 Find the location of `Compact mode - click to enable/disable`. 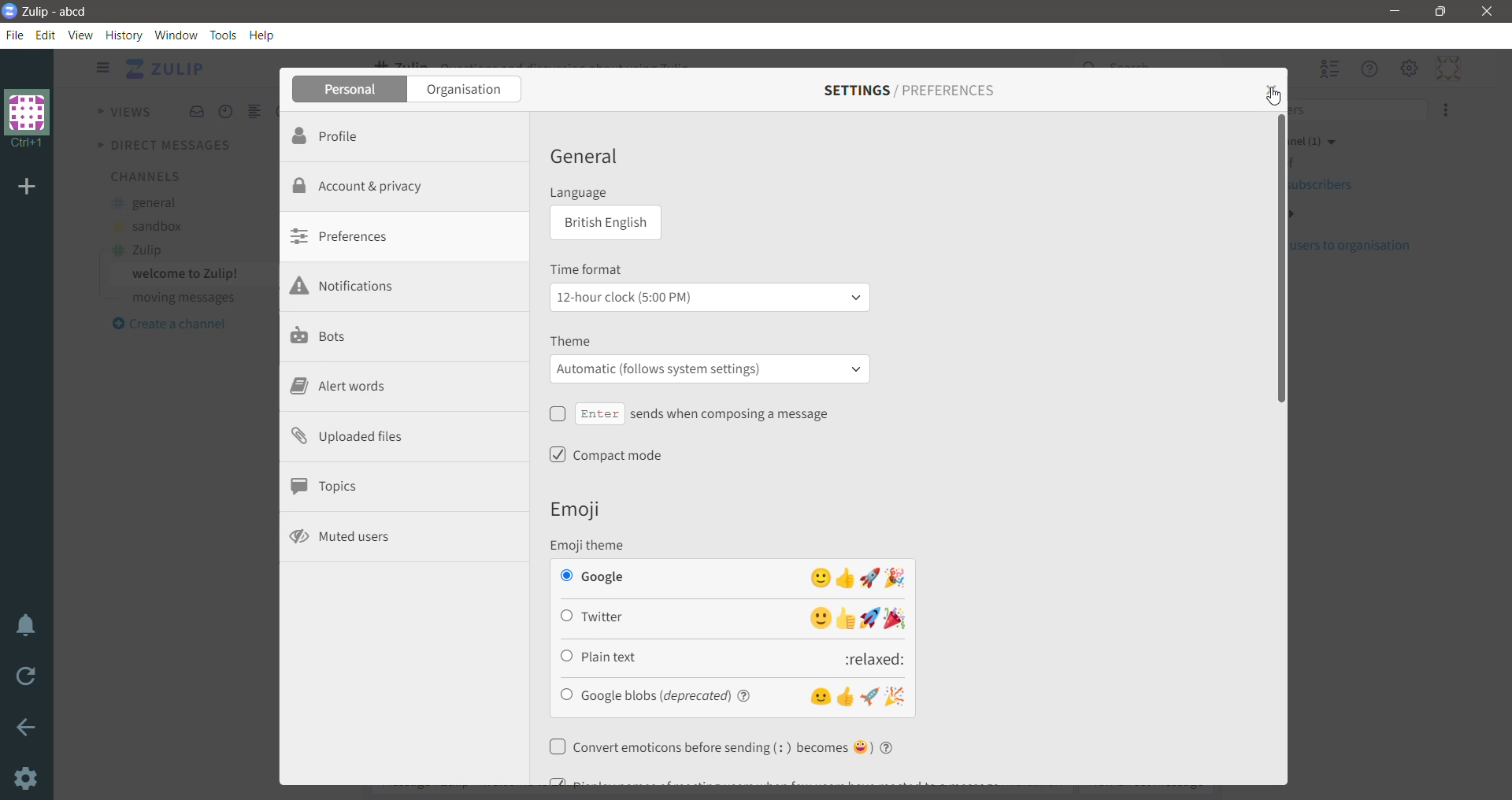

Compact mode - click to enable/disable is located at coordinates (620, 454).